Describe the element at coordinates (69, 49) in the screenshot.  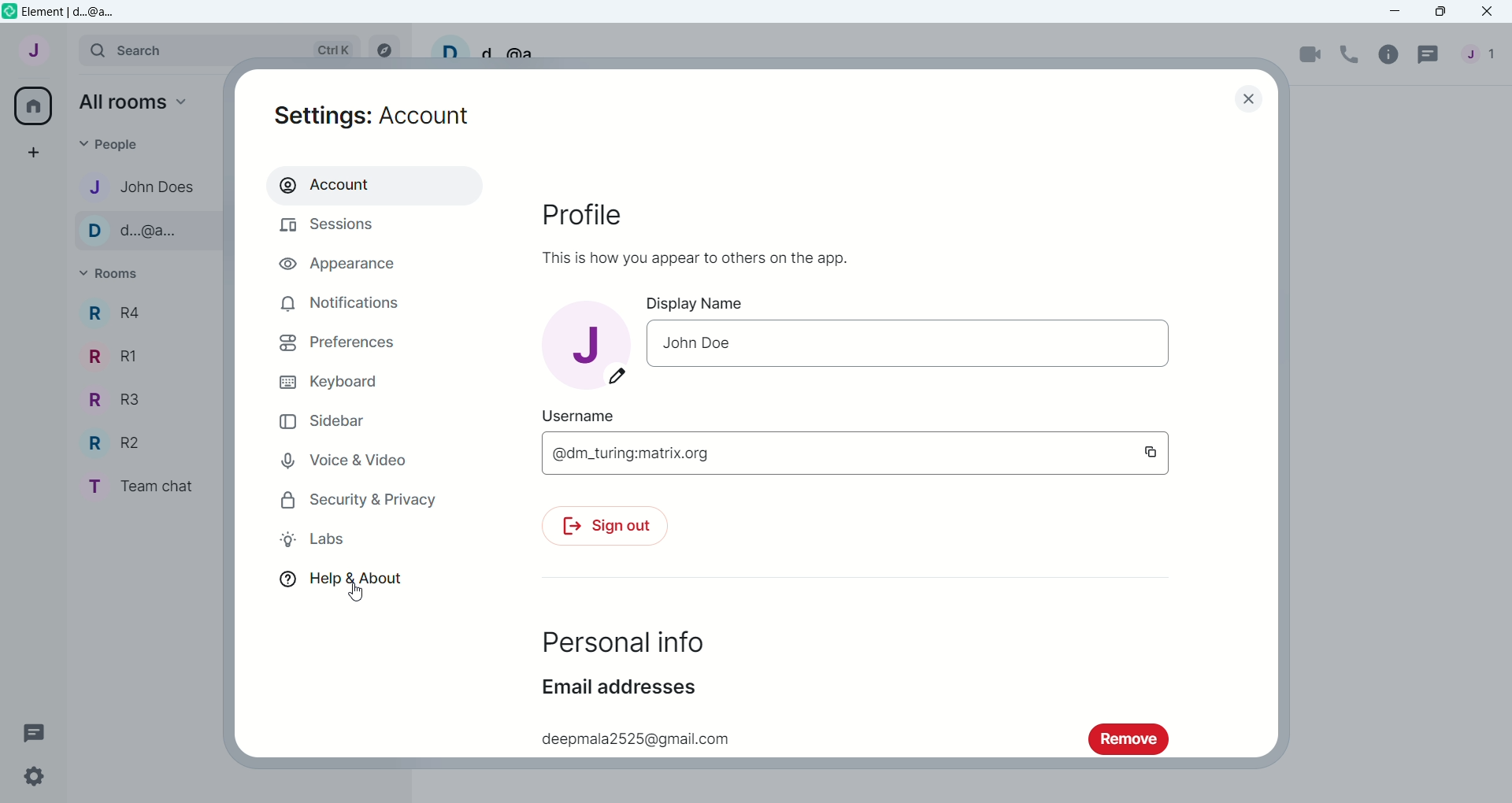
I see `Expand` at that location.